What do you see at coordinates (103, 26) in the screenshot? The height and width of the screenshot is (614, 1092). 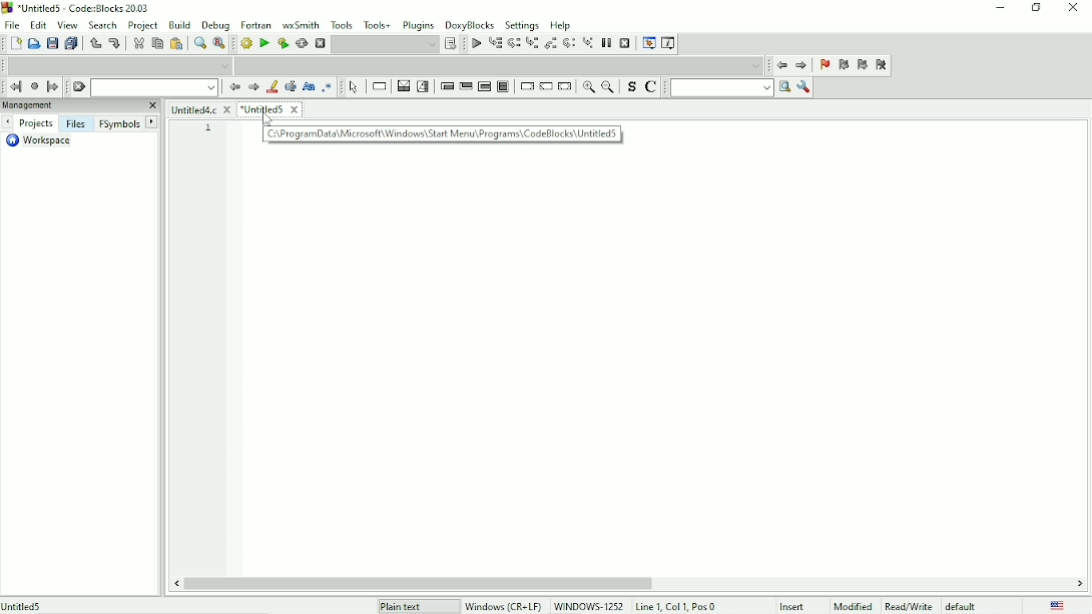 I see `Search` at bounding box center [103, 26].